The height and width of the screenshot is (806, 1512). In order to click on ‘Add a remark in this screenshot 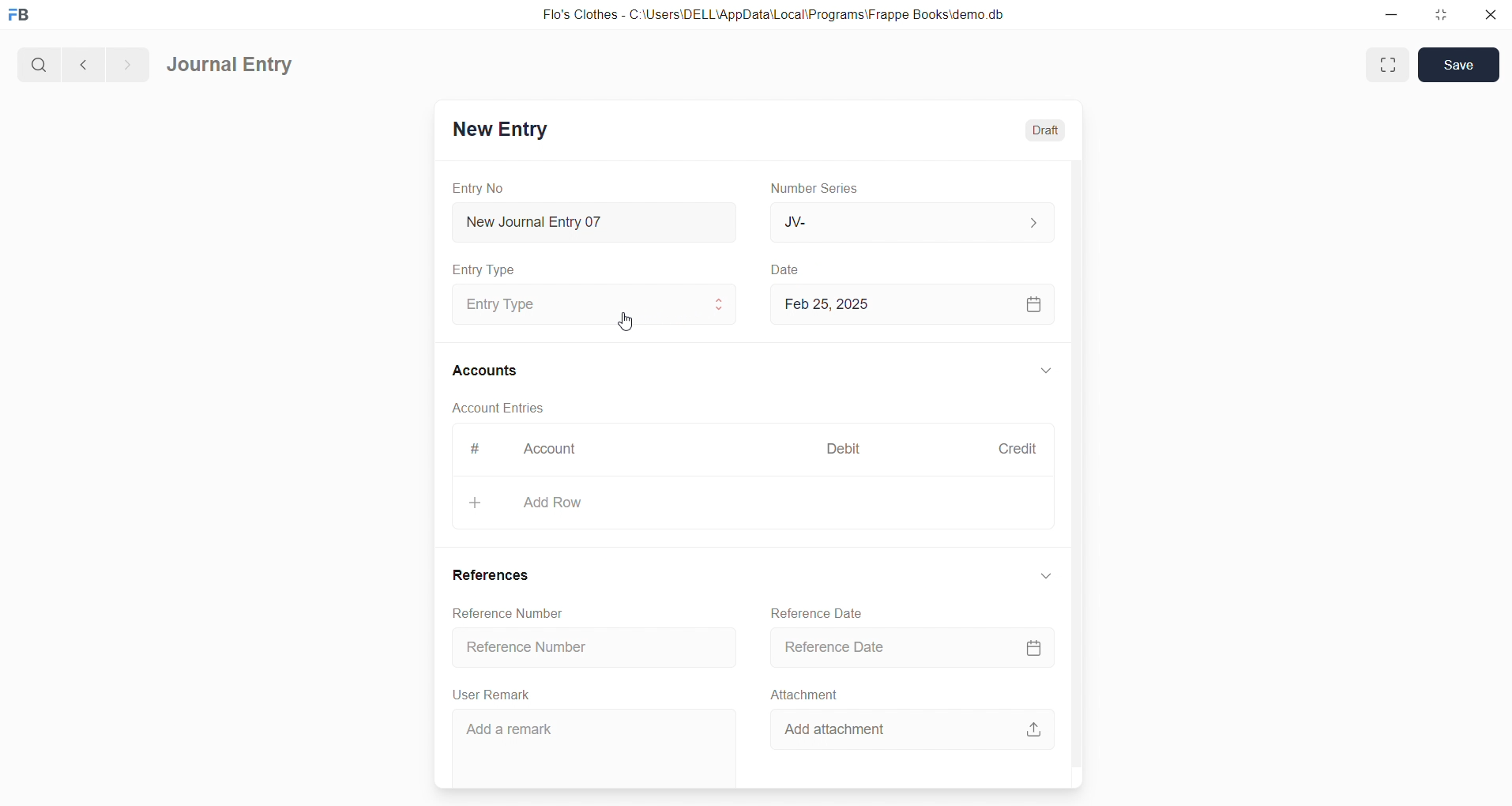, I will do `click(592, 748)`.